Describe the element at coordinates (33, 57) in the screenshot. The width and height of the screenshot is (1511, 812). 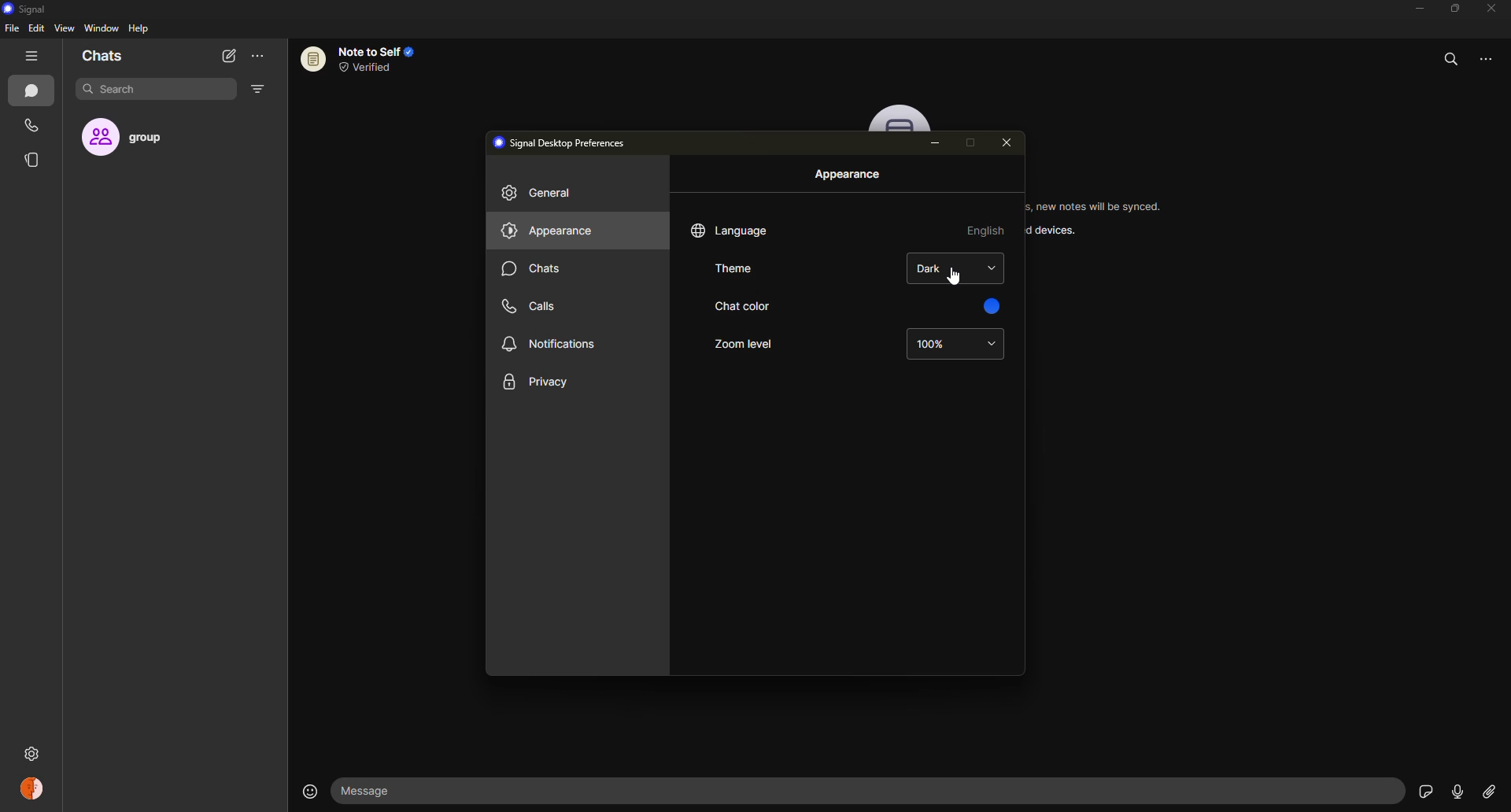
I see `hide tabs` at that location.